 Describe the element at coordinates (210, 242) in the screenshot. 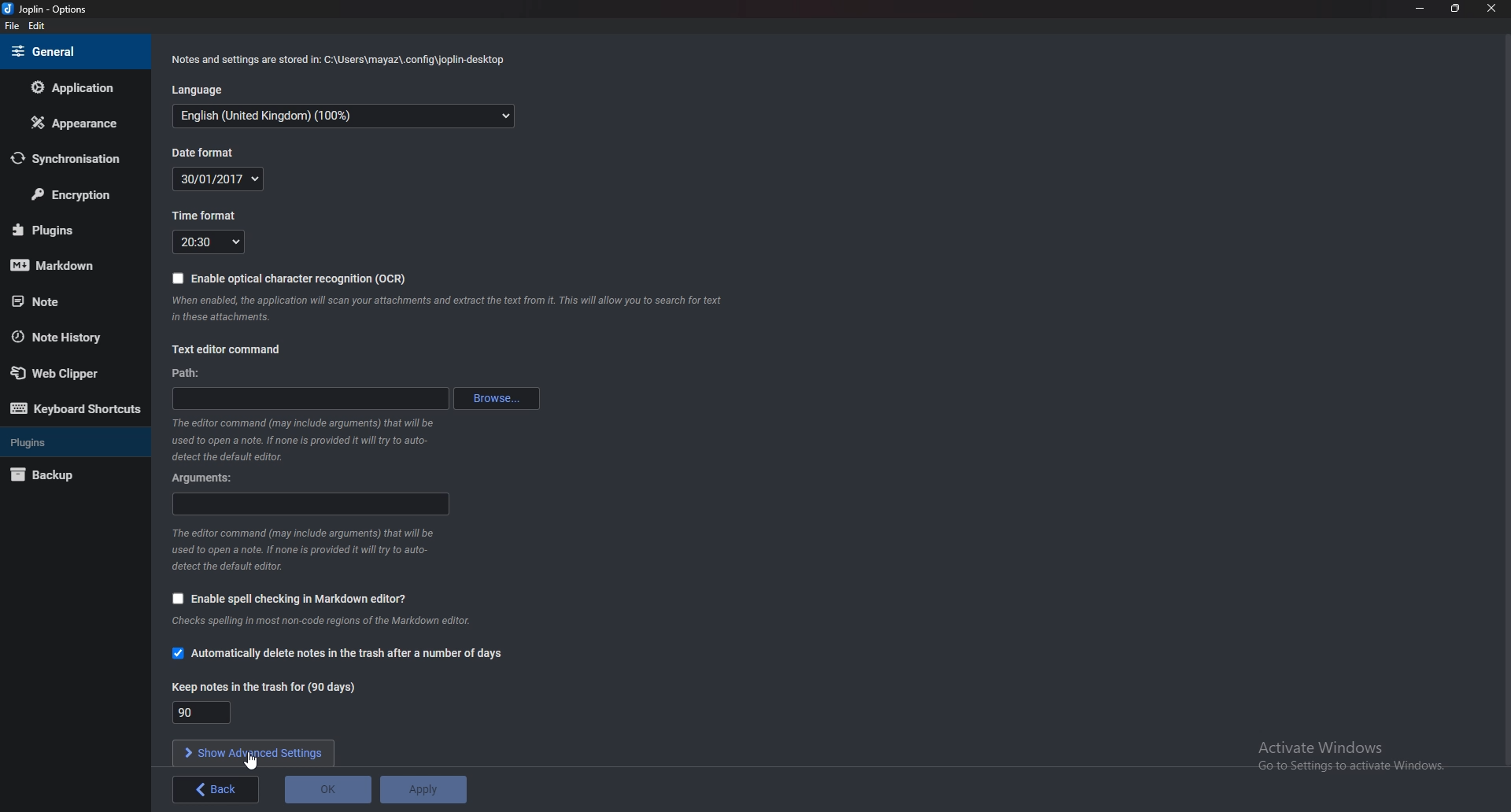

I see `Time format` at that location.